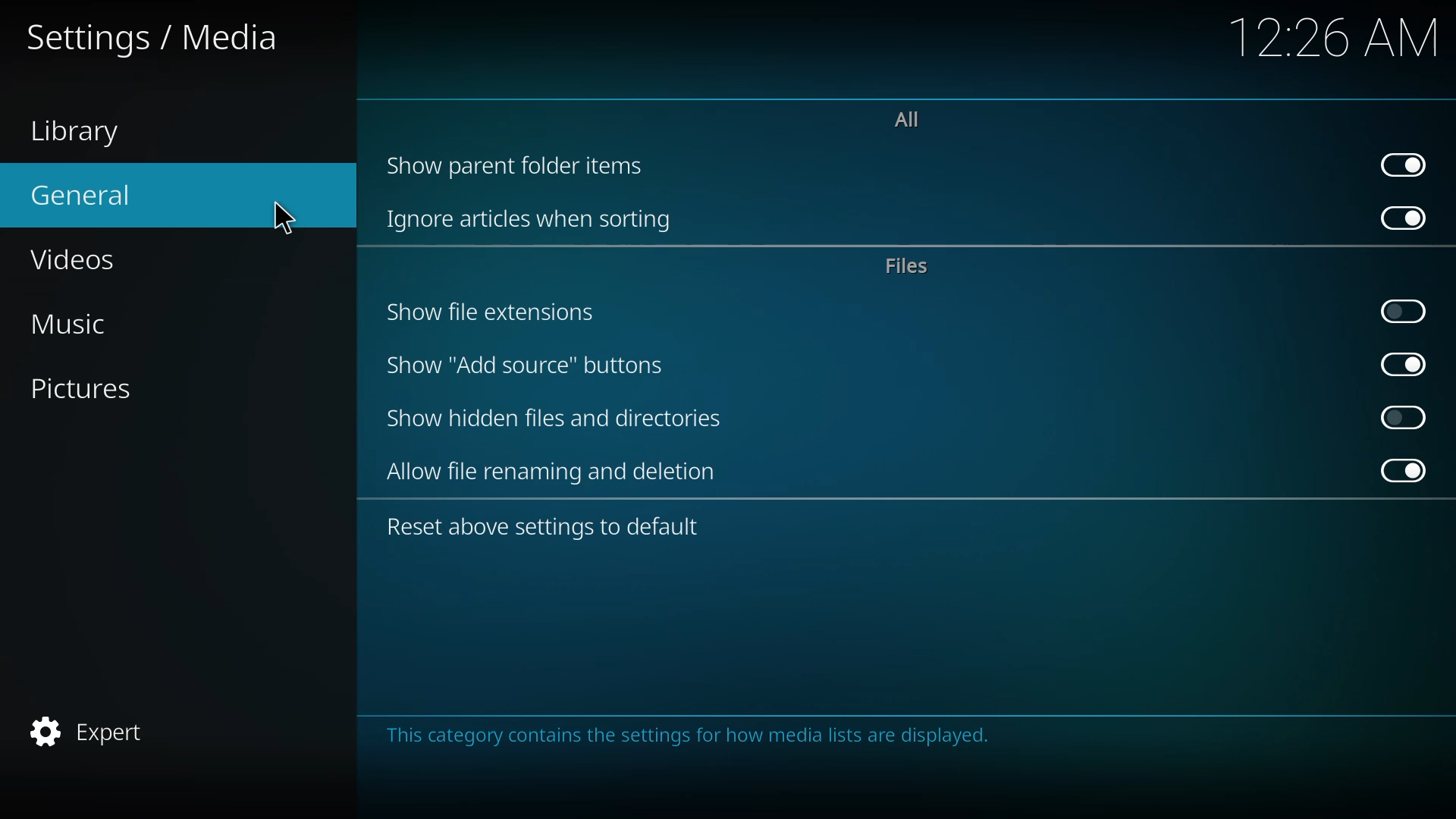  Describe the element at coordinates (1409, 164) in the screenshot. I see `enabled` at that location.